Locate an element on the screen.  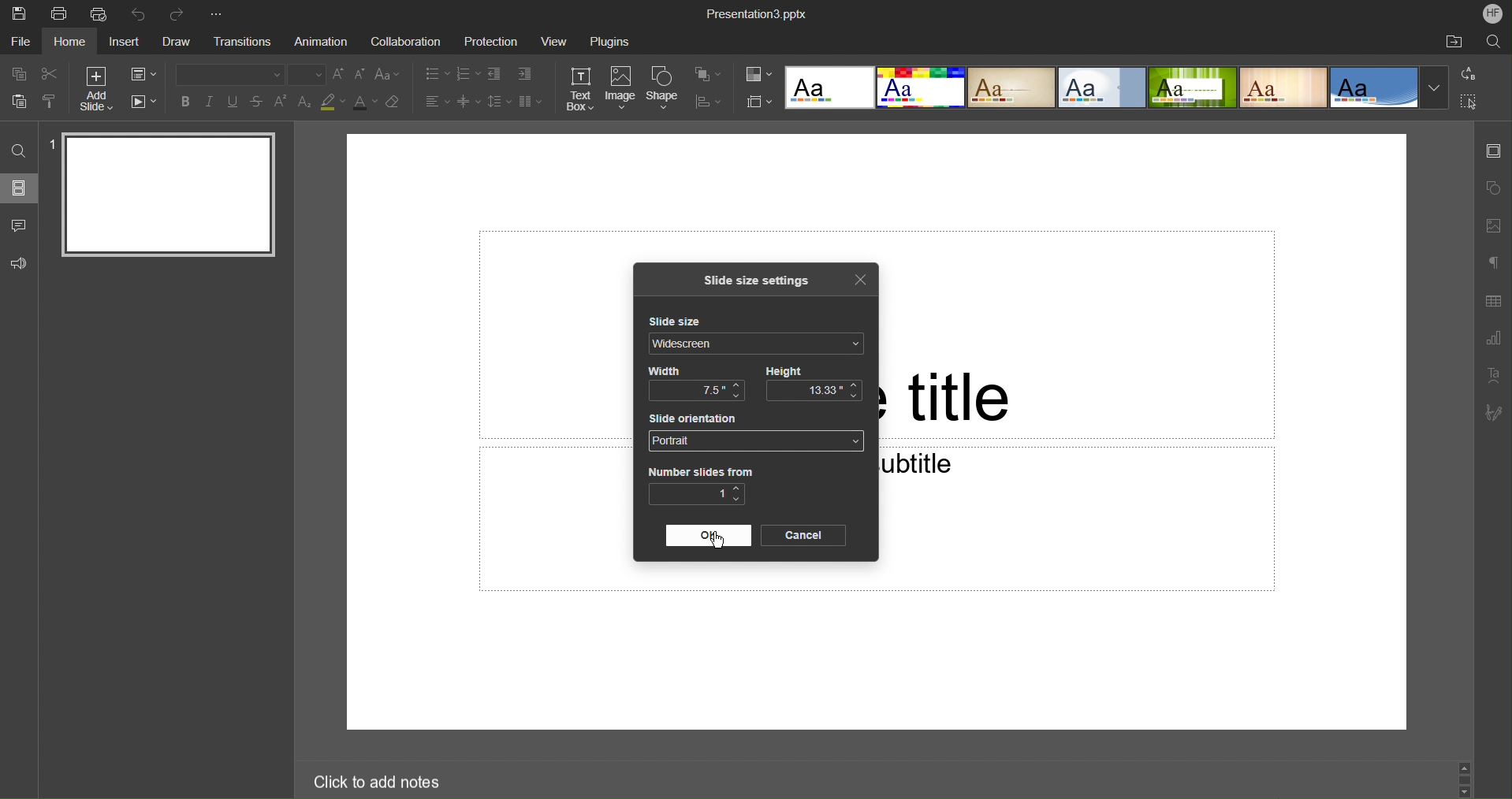
Bold is located at coordinates (184, 102).